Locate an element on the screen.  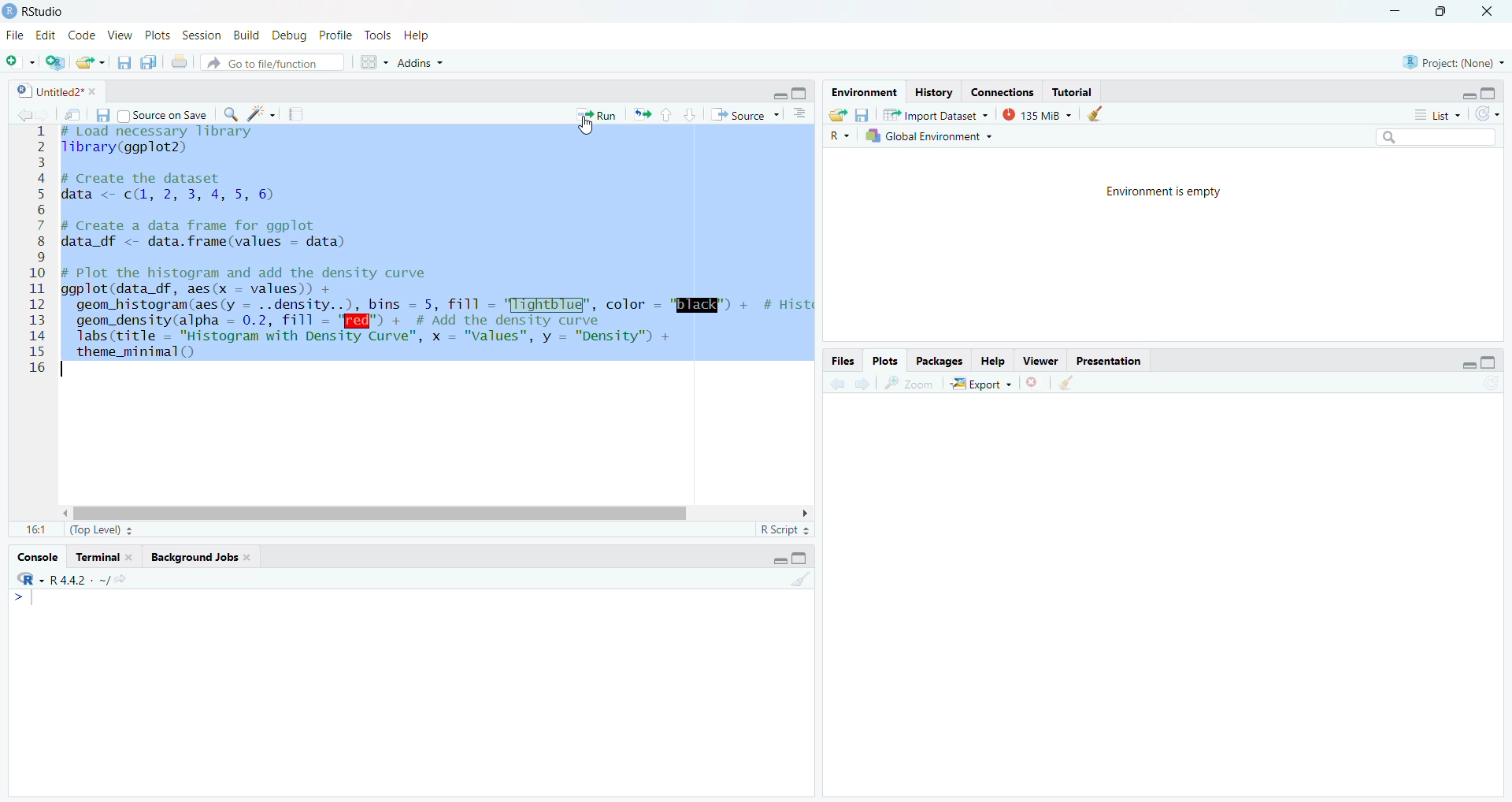
Viewer is located at coordinates (1043, 360).